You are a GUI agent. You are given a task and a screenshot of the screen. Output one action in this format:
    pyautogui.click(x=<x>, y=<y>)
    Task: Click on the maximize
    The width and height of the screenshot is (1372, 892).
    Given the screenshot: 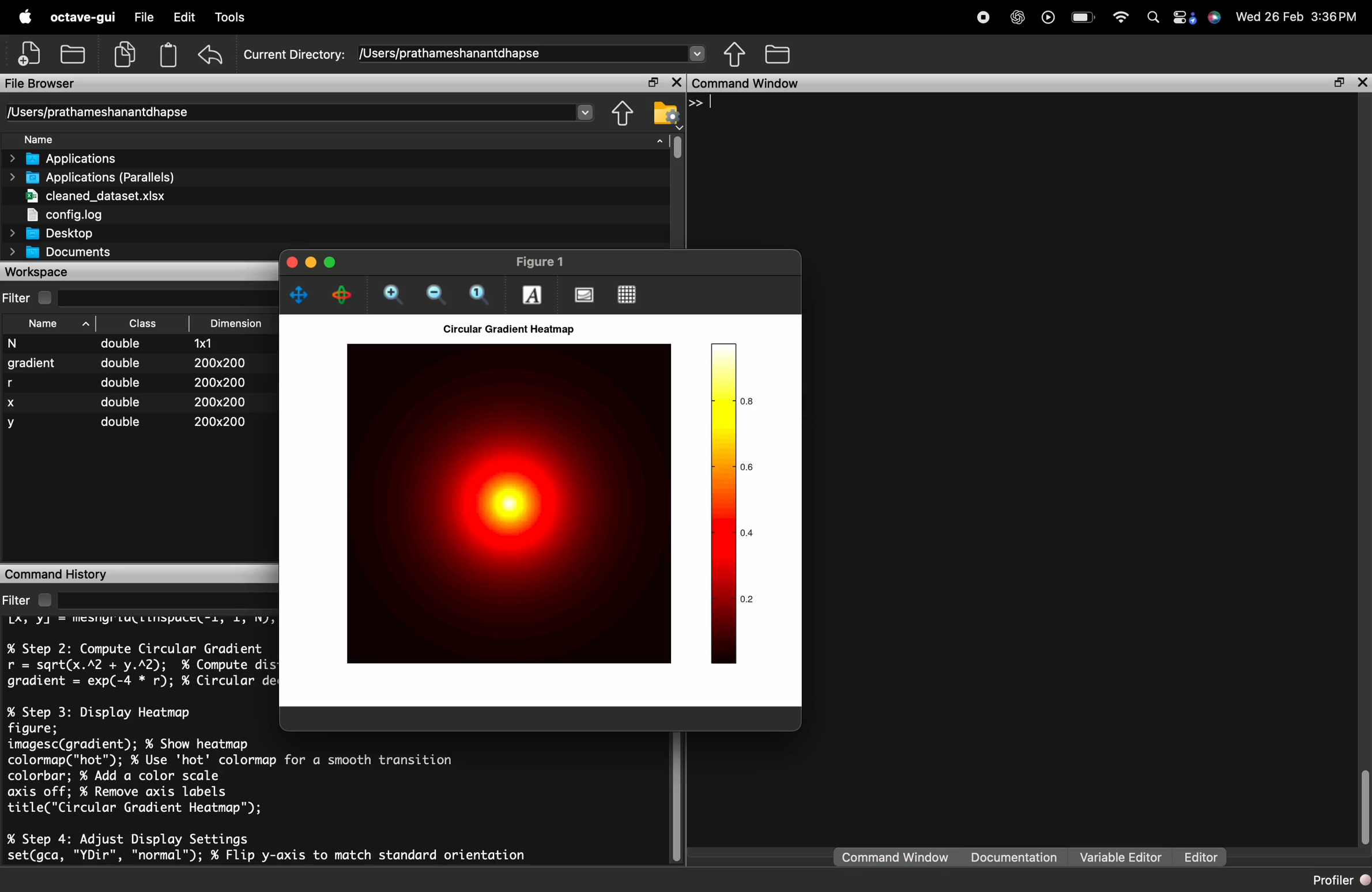 What is the action you would take?
    pyautogui.click(x=332, y=263)
    